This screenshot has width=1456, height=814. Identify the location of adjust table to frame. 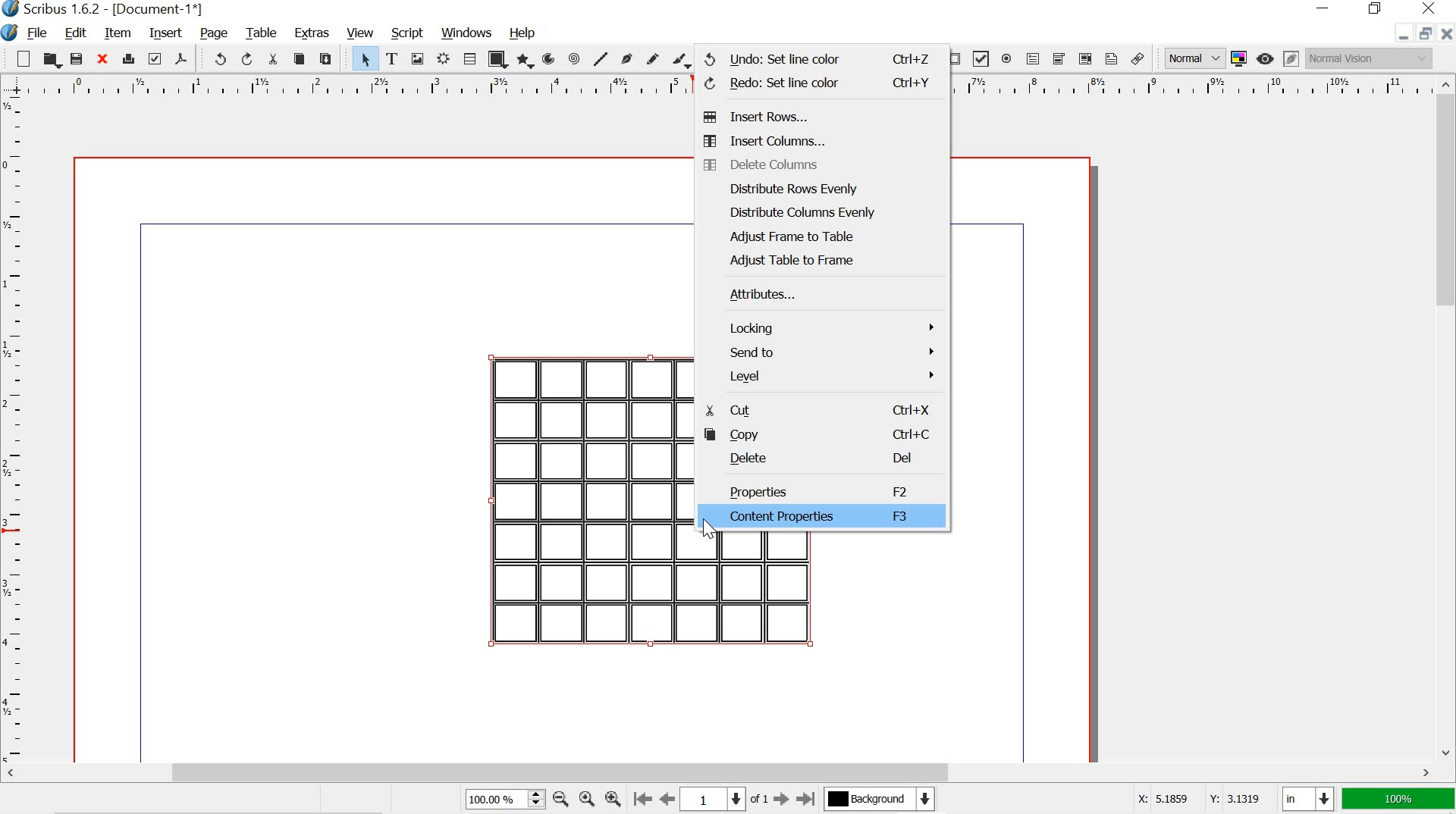
(830, 263).